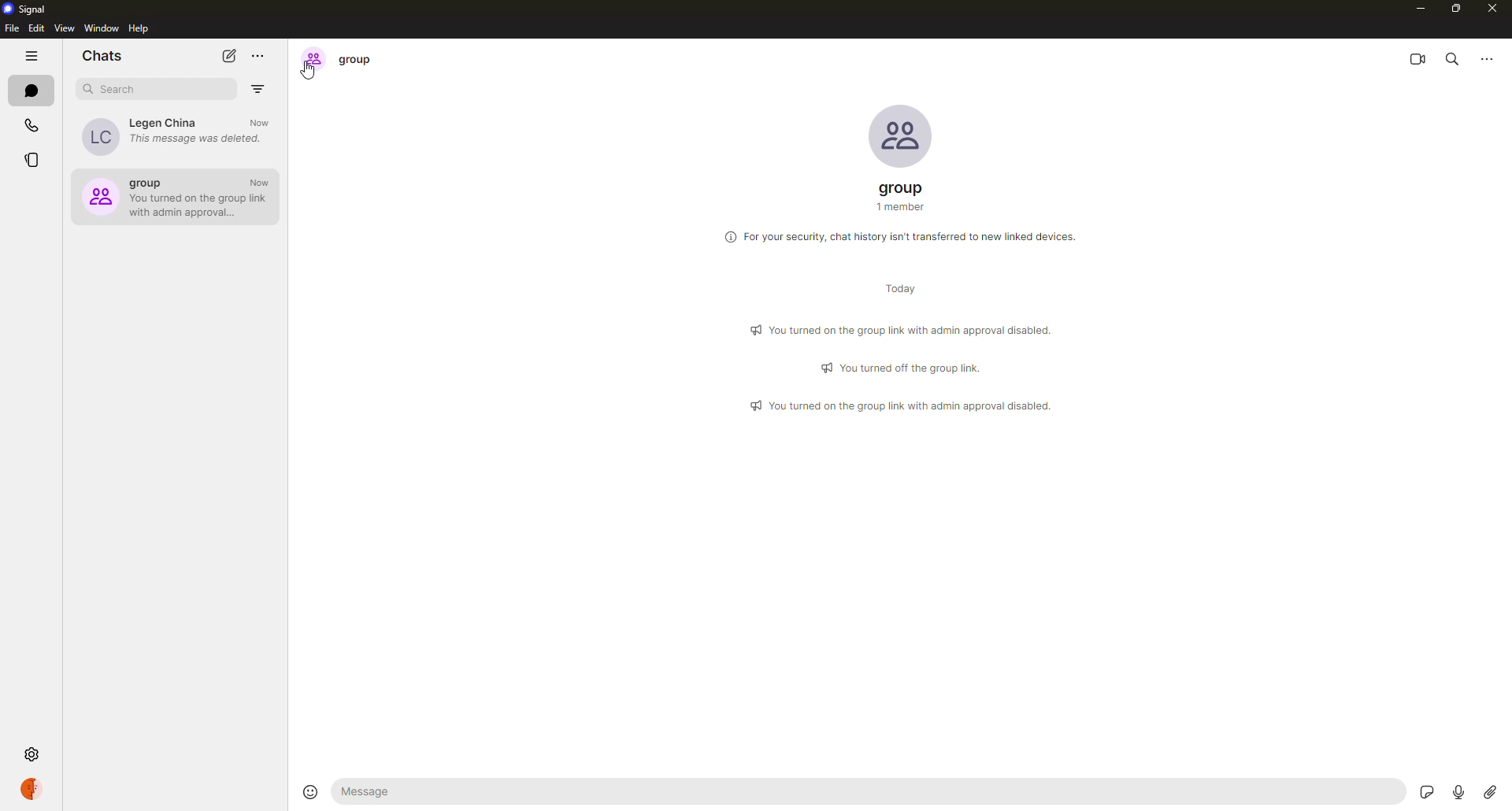 The image size is (1512, 811). Describe the element at coordinates (33, 126) in the screenshot. I see `calls` at that location.